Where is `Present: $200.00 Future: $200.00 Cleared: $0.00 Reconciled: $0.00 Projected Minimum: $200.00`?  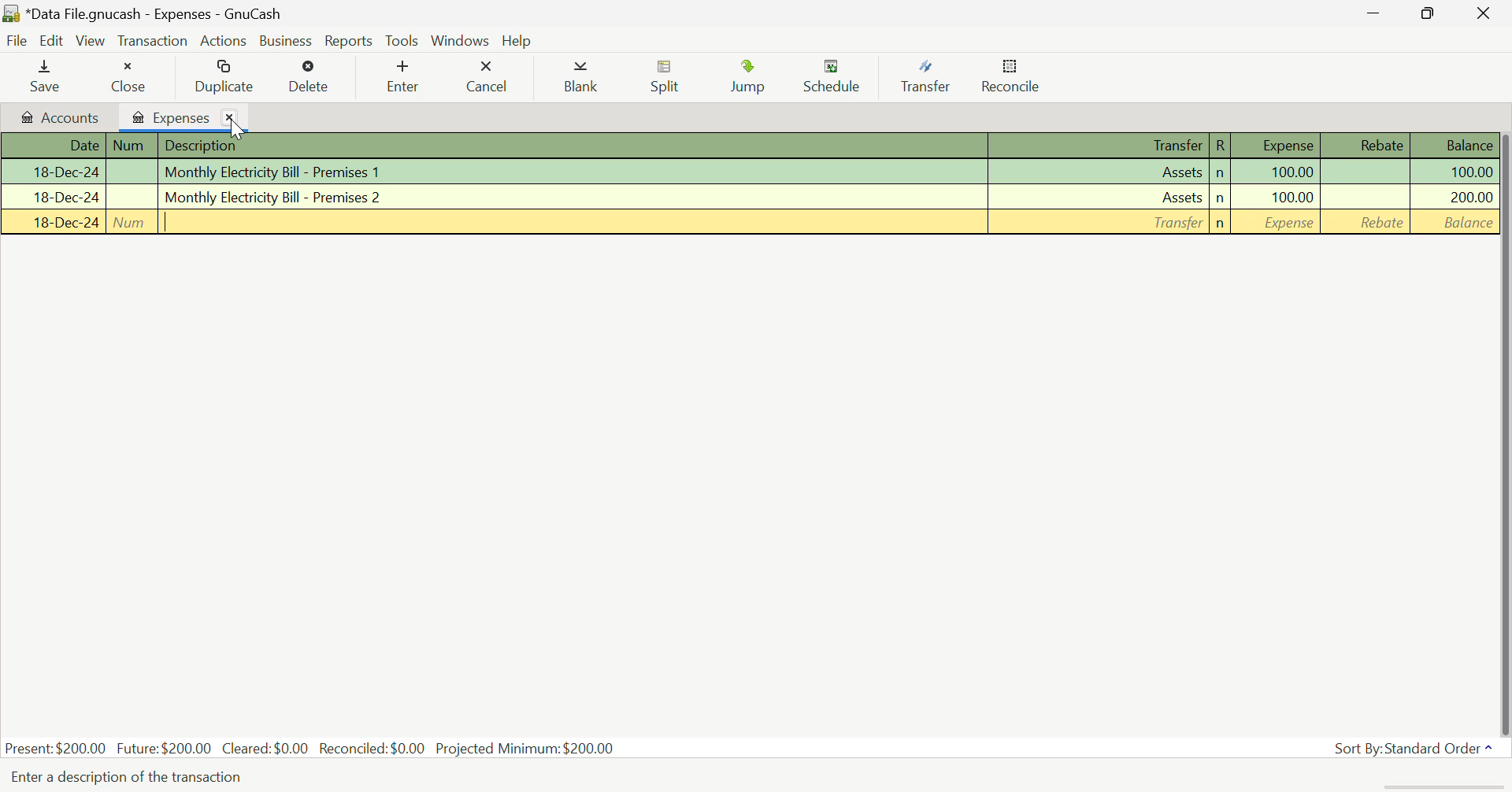 Present: $200.00 Future: $200.00 Cleared: $0.00 Reconciled: $0.00 Projected Minimum: $200.00 is located at coordinates (313, 747).